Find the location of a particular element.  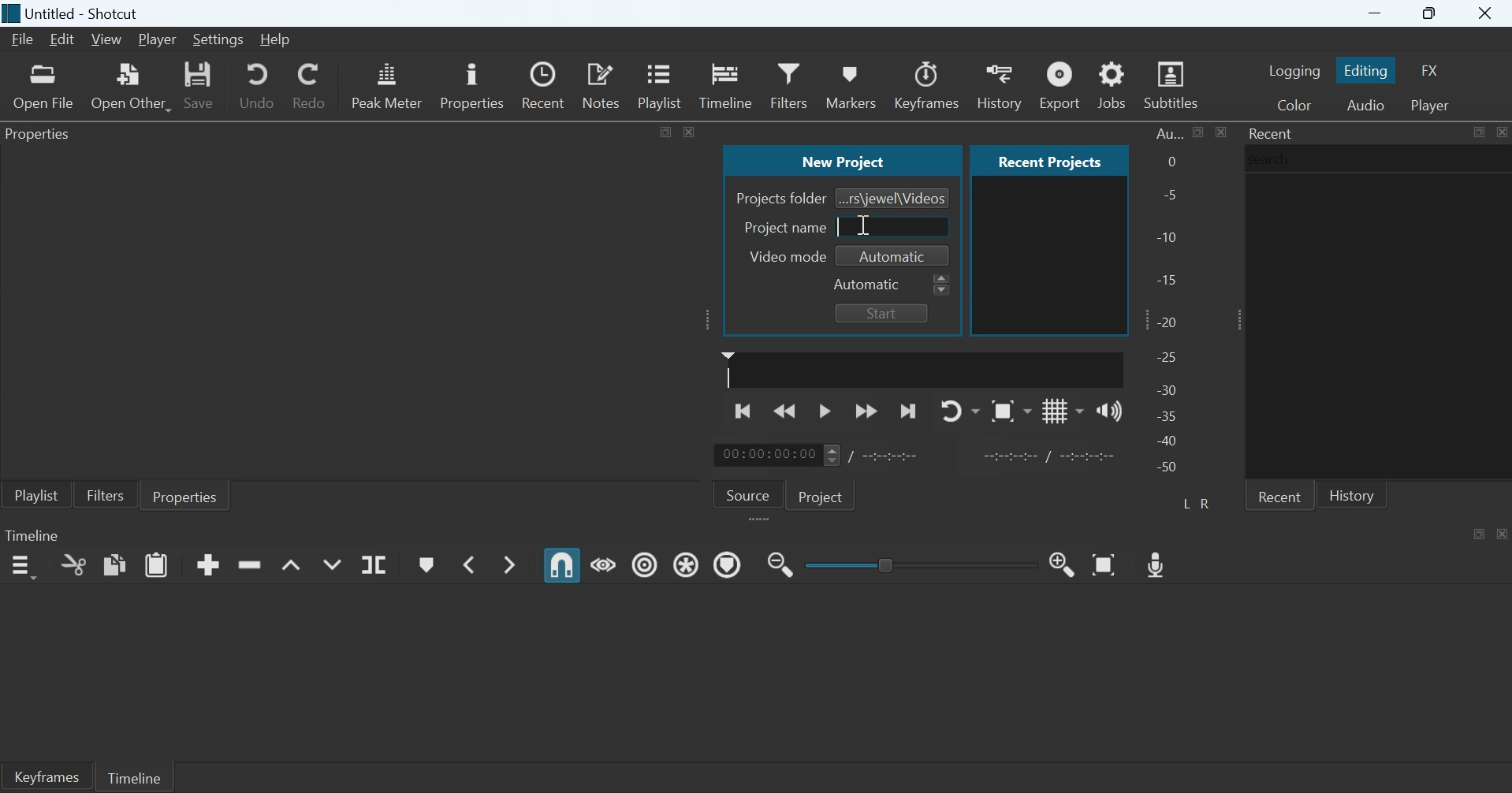

Audio Peak meter is located at coordinates (1169, 303).